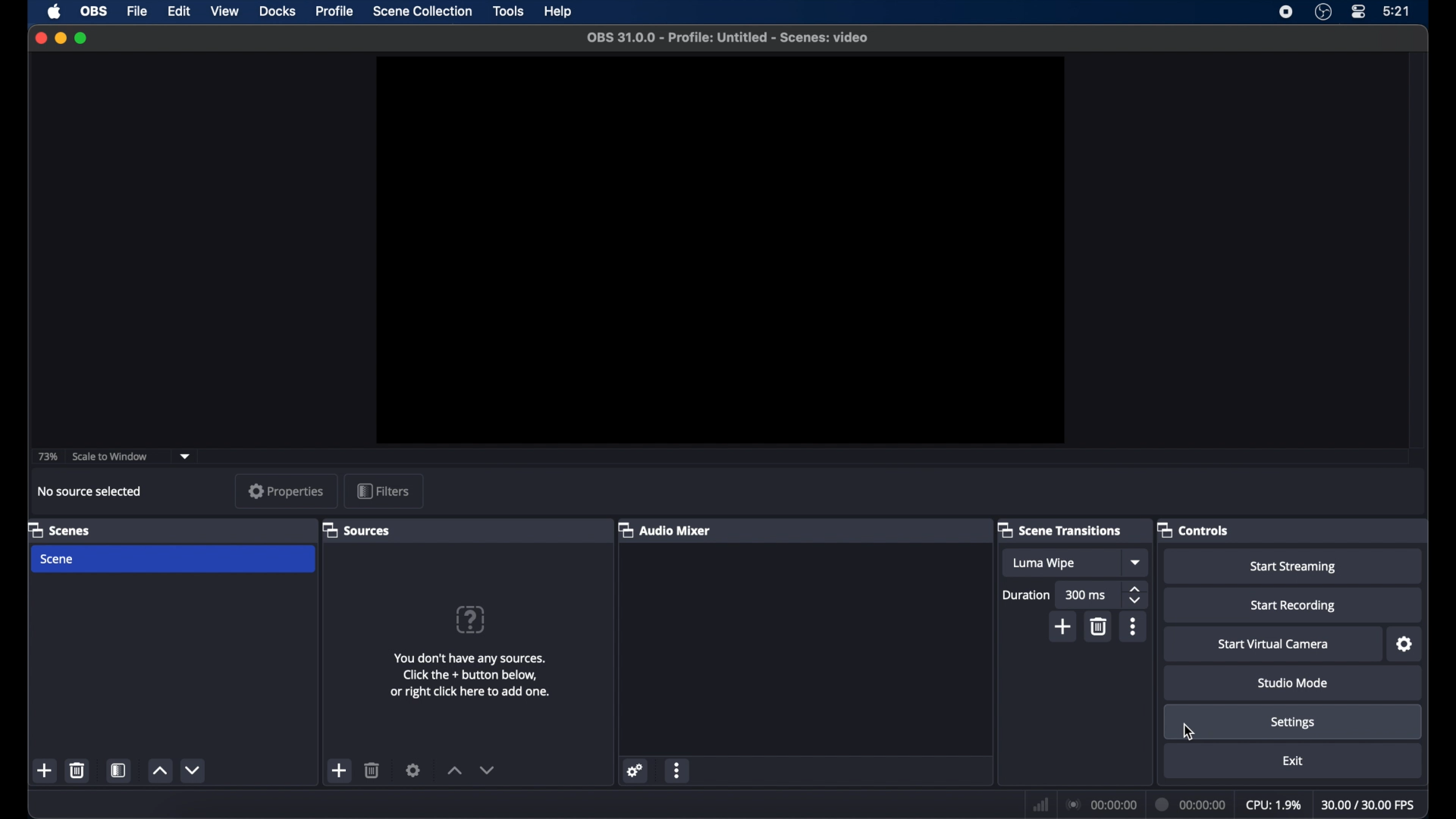 The height and width of the screenshot is (819, 1456). Describe the element at coordinates (1405, 645) in the screenshot. I see `settings` at that location.